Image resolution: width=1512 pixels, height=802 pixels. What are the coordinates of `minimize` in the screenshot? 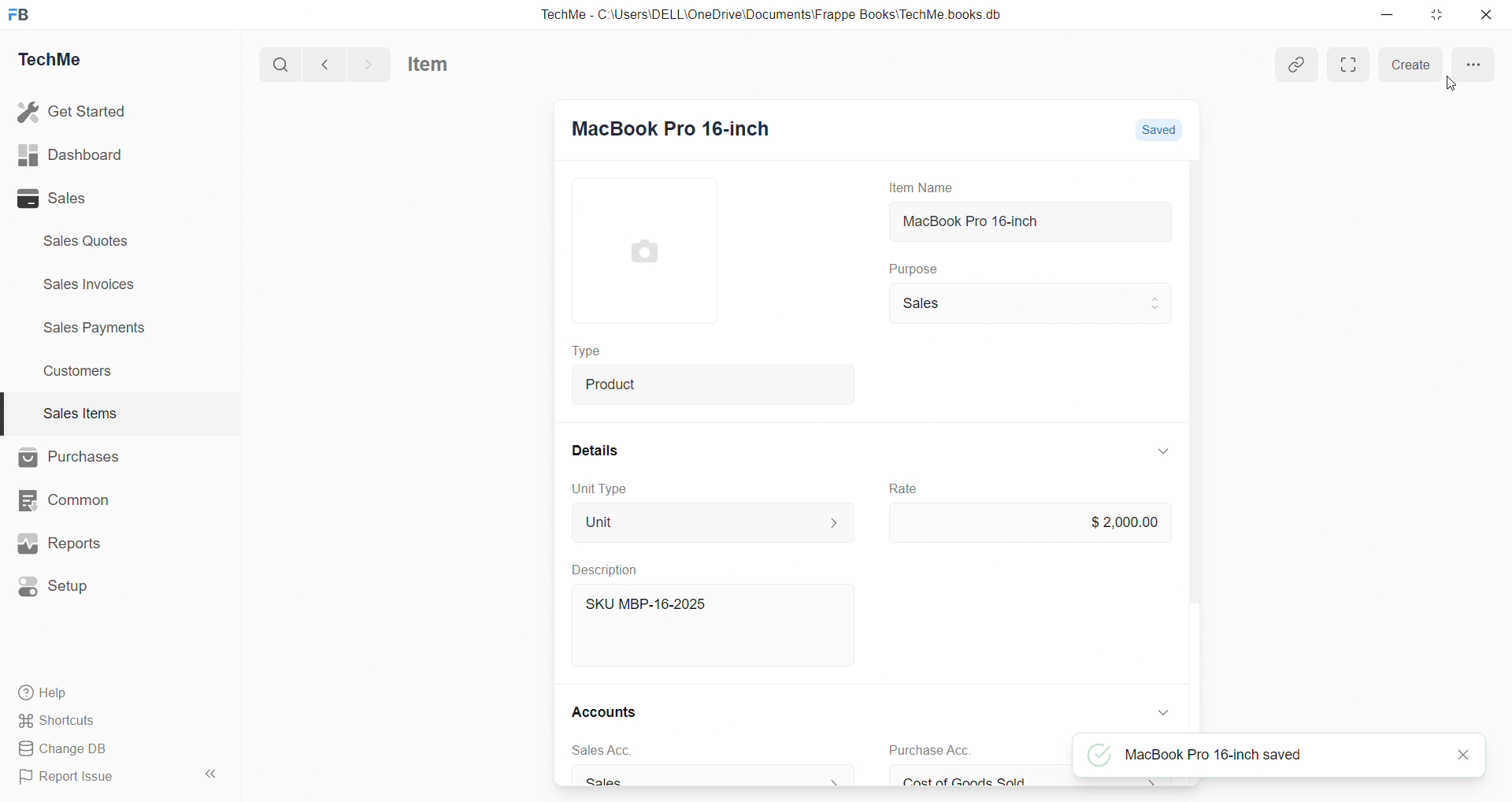 It's located at (1387, 13).